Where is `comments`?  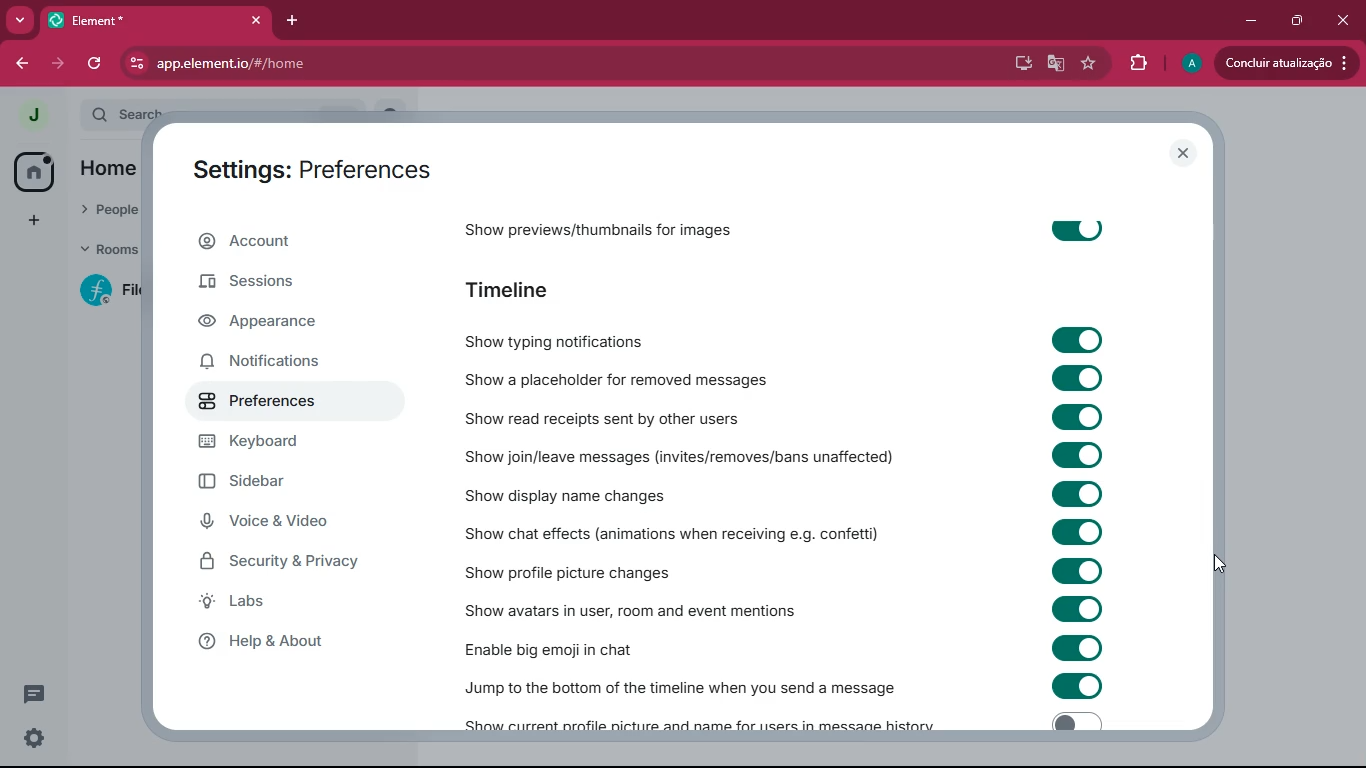
comments is located at coordinates (35, 686).